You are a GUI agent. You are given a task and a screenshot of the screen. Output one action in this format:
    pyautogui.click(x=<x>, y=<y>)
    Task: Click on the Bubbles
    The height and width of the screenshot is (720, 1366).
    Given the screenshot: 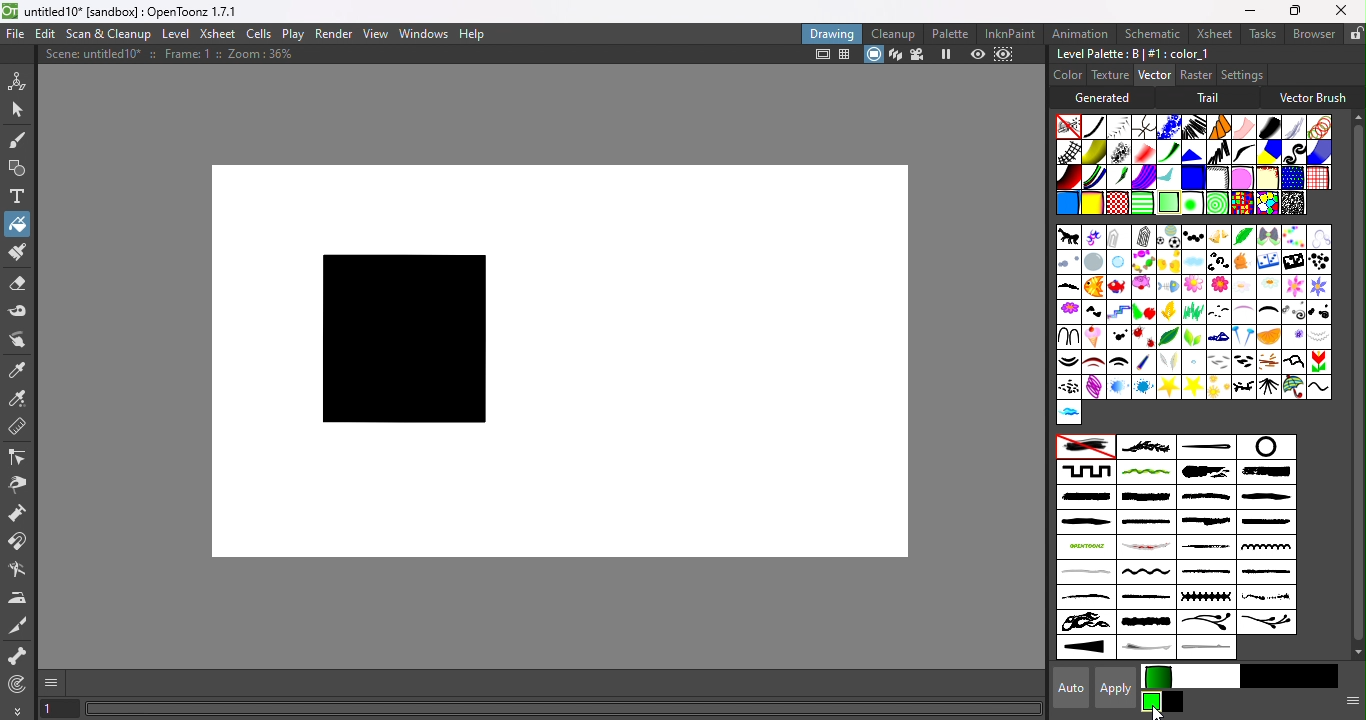 What is the action you would take?
    pyautogui.click(x=1318, y=127)
    